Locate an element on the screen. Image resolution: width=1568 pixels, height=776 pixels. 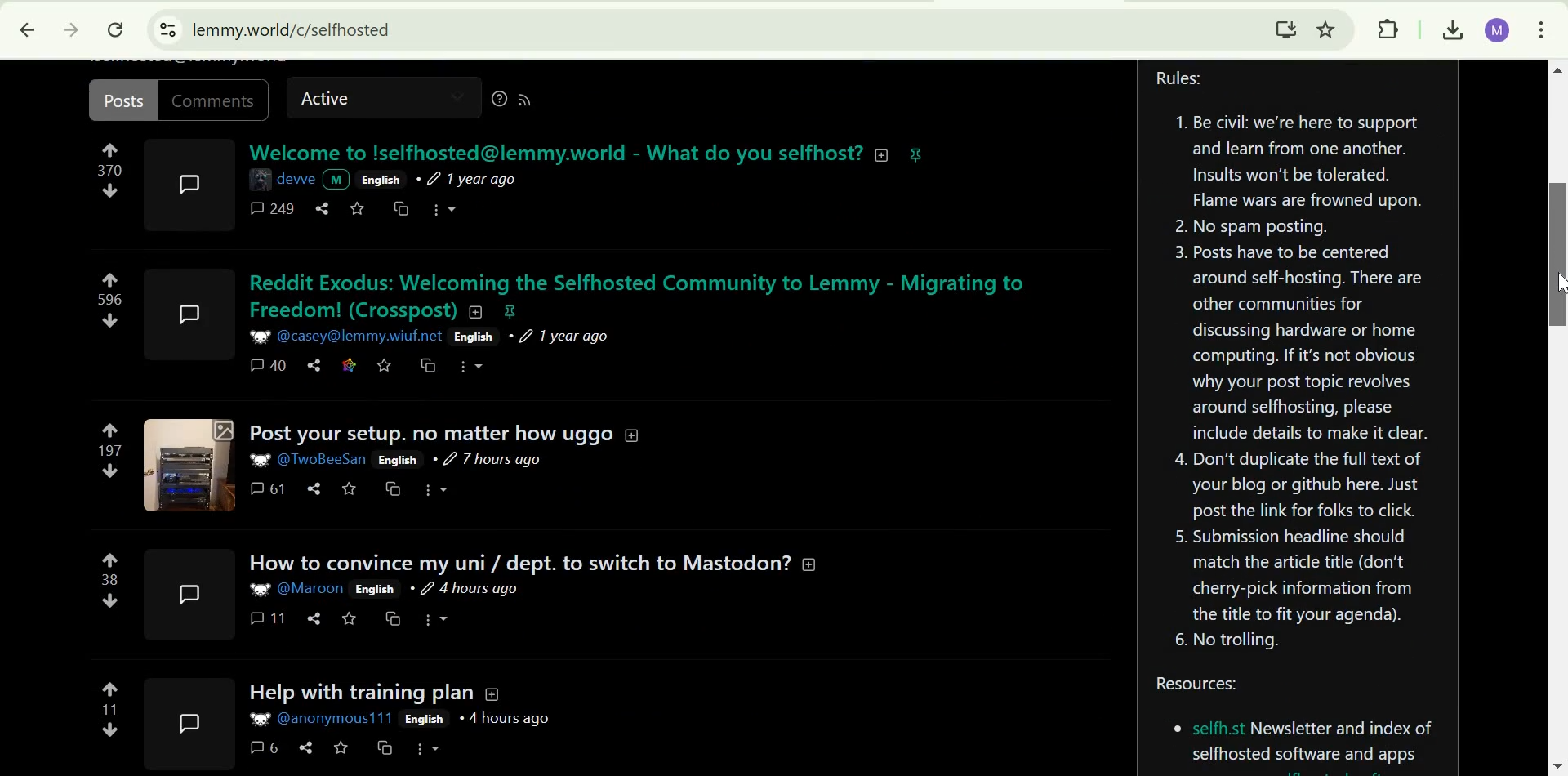
user ID is located at coordinates (312, 589).